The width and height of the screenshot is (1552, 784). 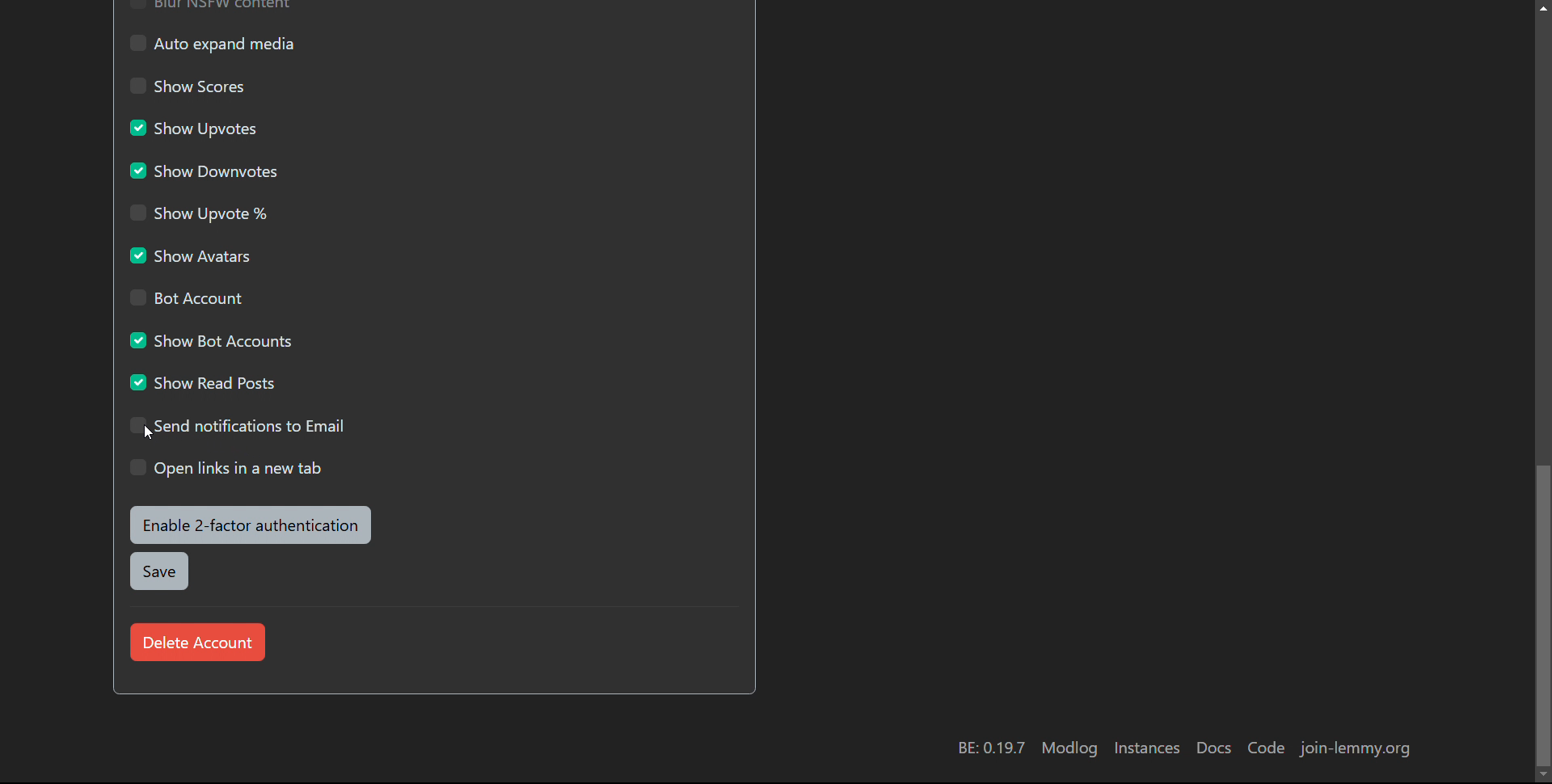 I want to click on modlog, so click(x=1069, y=748).